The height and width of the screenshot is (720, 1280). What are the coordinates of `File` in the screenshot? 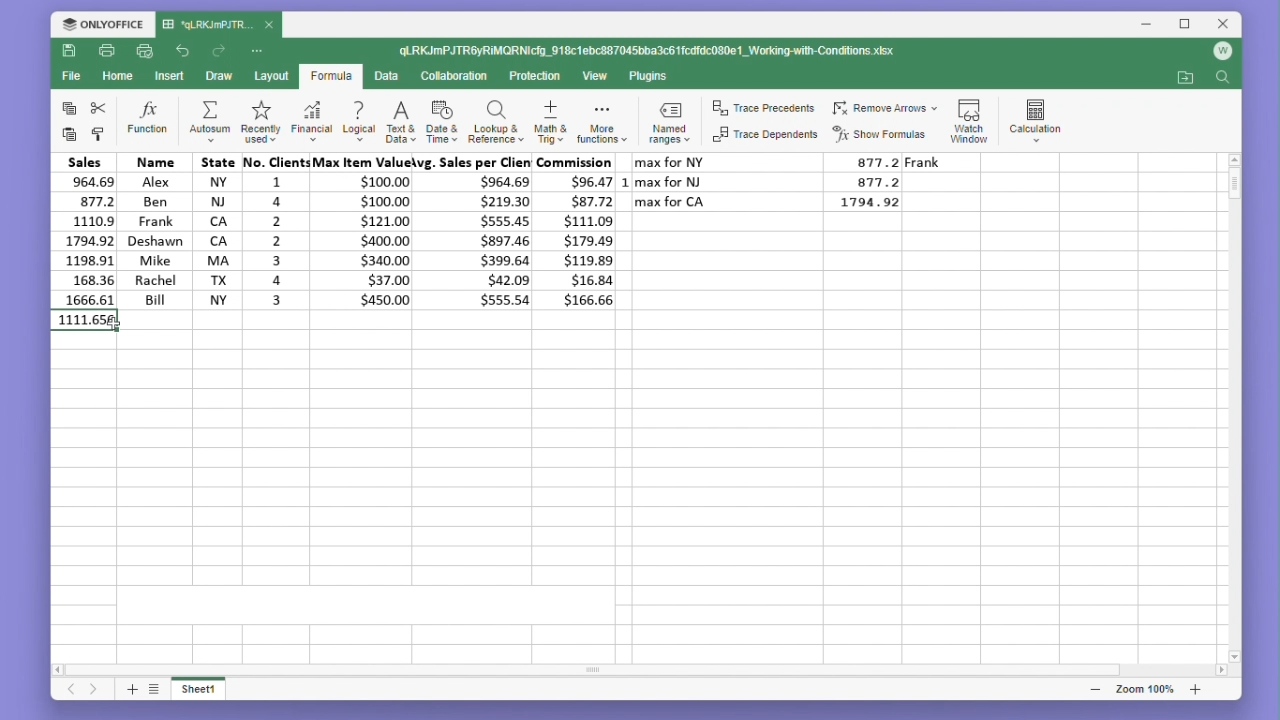 It's located at (70, 76).